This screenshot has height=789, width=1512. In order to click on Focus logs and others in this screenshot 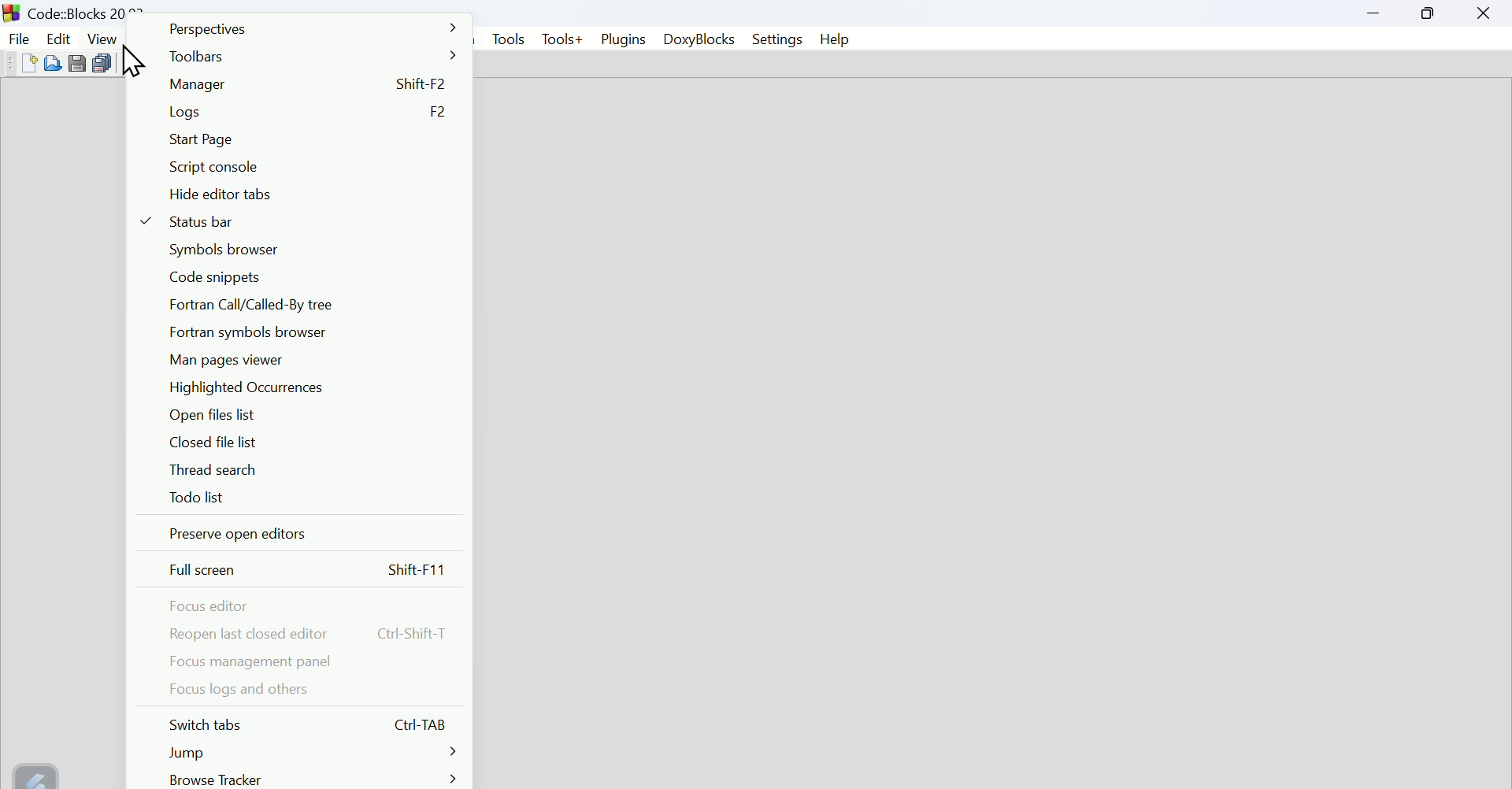, I will do `click(252, 689)`.